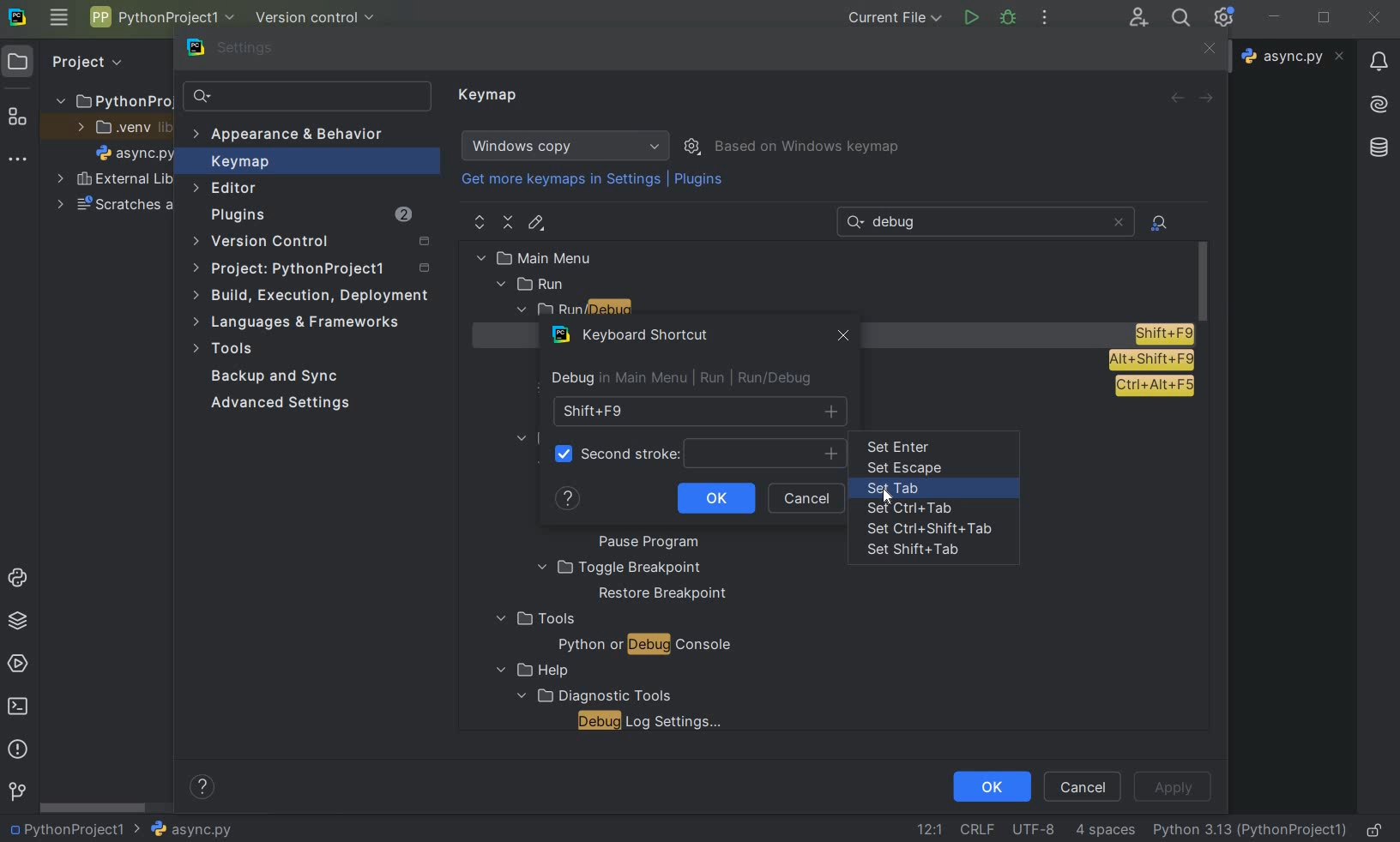 This screenshot has height=842, width=1400. I want to click on Shift+F9, so click(1163, 334).